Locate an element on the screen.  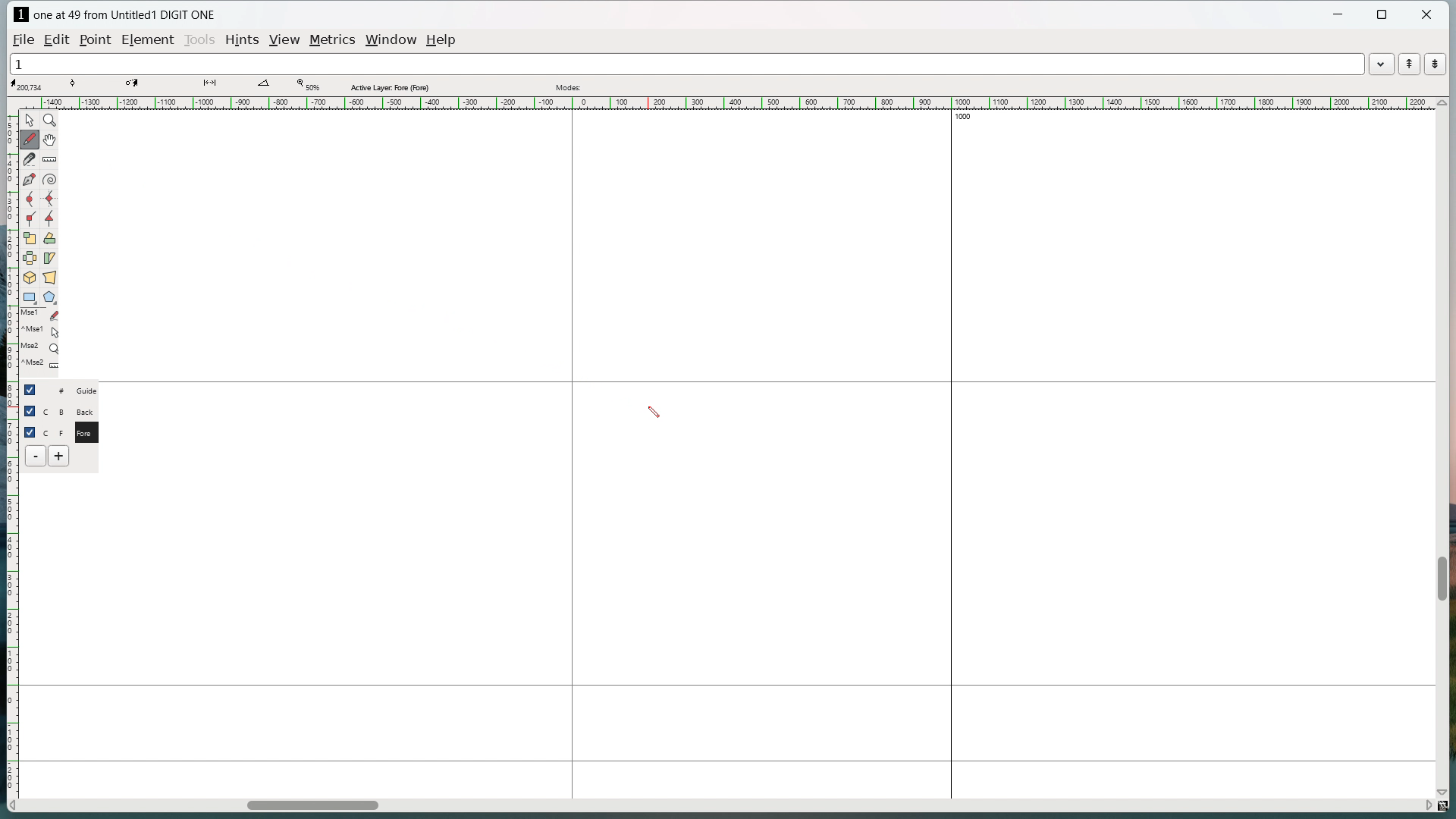
scroll up is located at coordinates (1441, 103).